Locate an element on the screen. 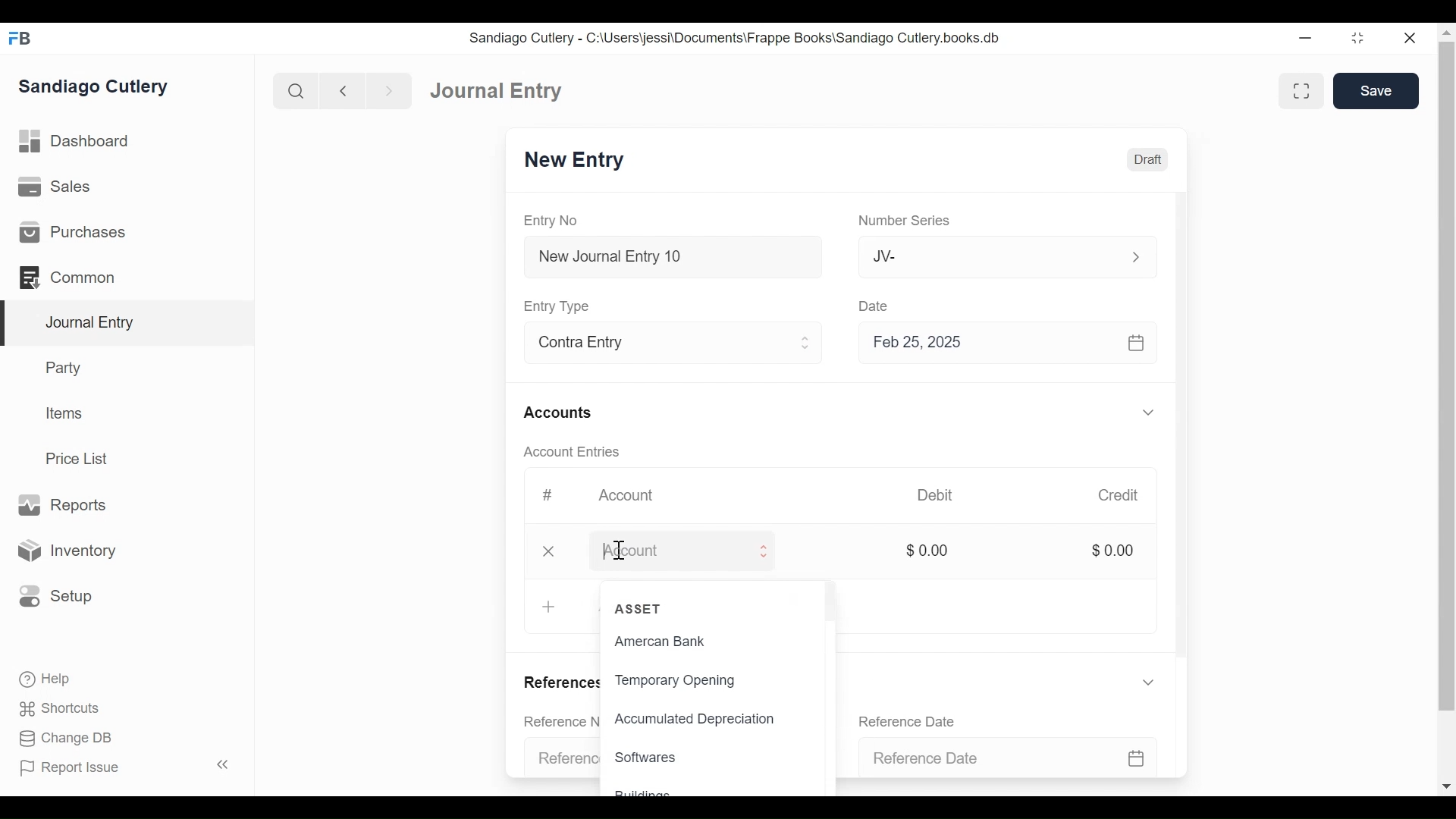 This screenshot has height=819, width=1456. Change DB is located at coordinates (61, 738).